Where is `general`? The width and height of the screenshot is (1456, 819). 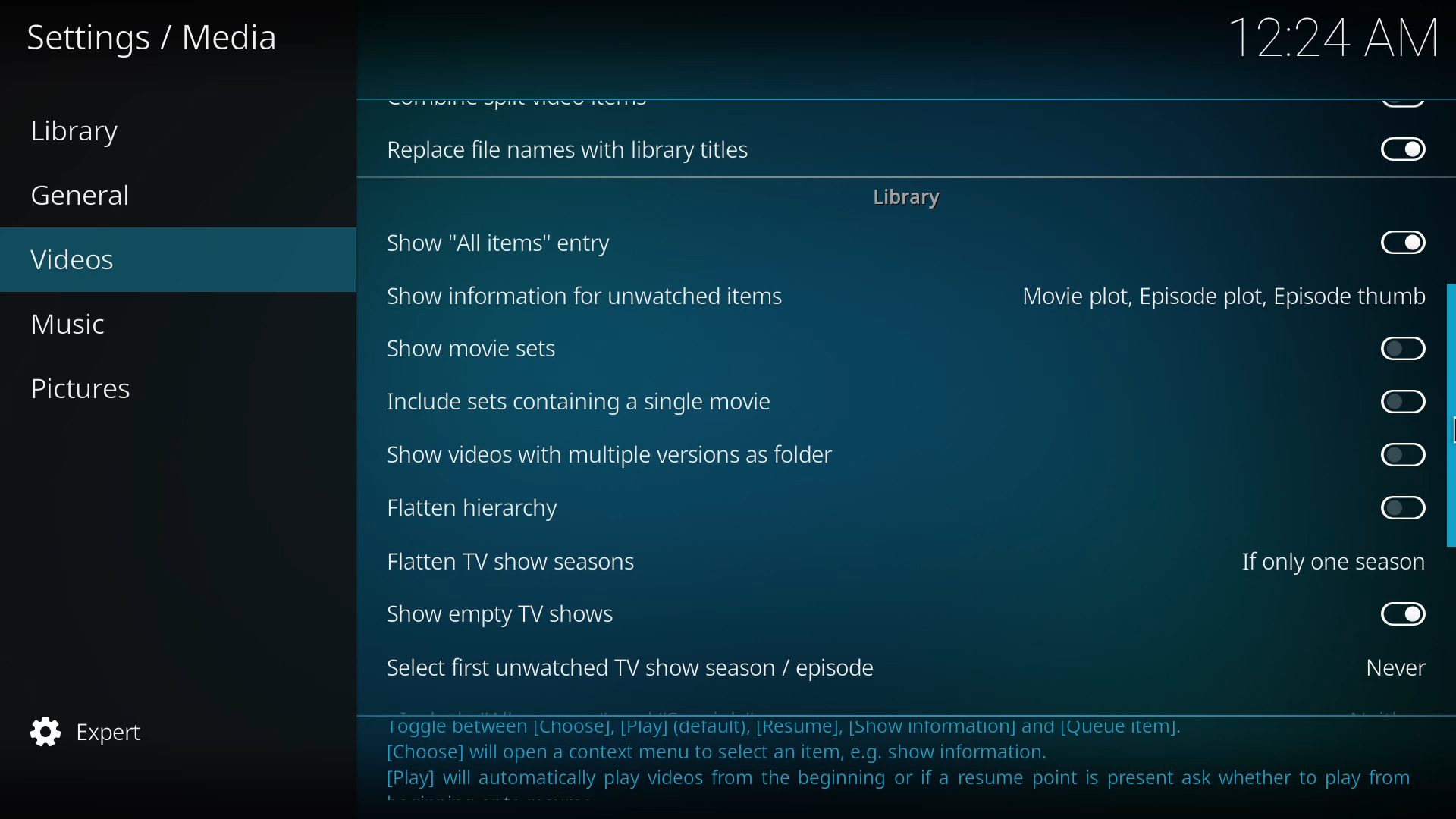 general is located at coordinates (88, 196).